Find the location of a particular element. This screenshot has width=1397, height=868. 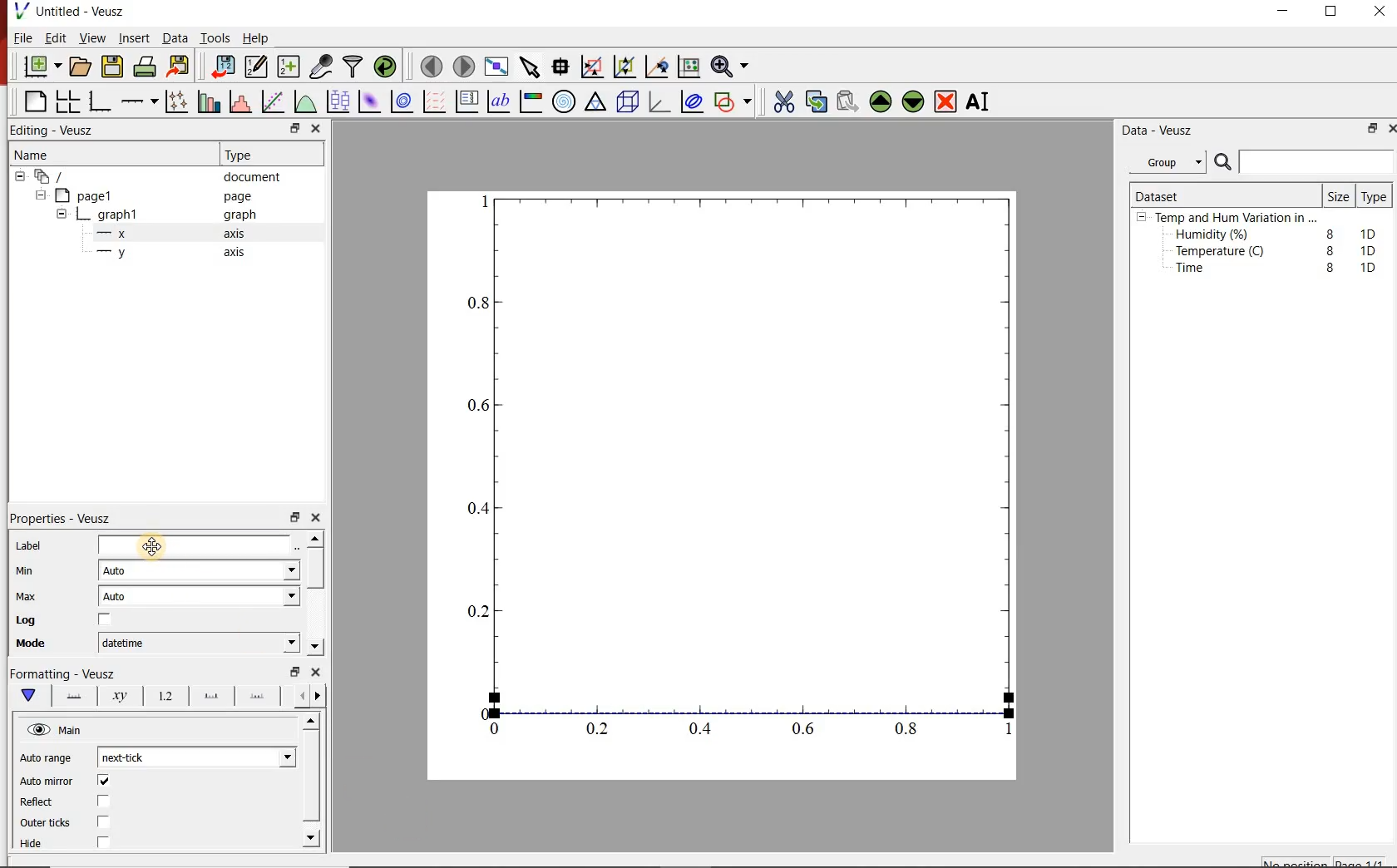

new document is located at coordinates (41, 67).